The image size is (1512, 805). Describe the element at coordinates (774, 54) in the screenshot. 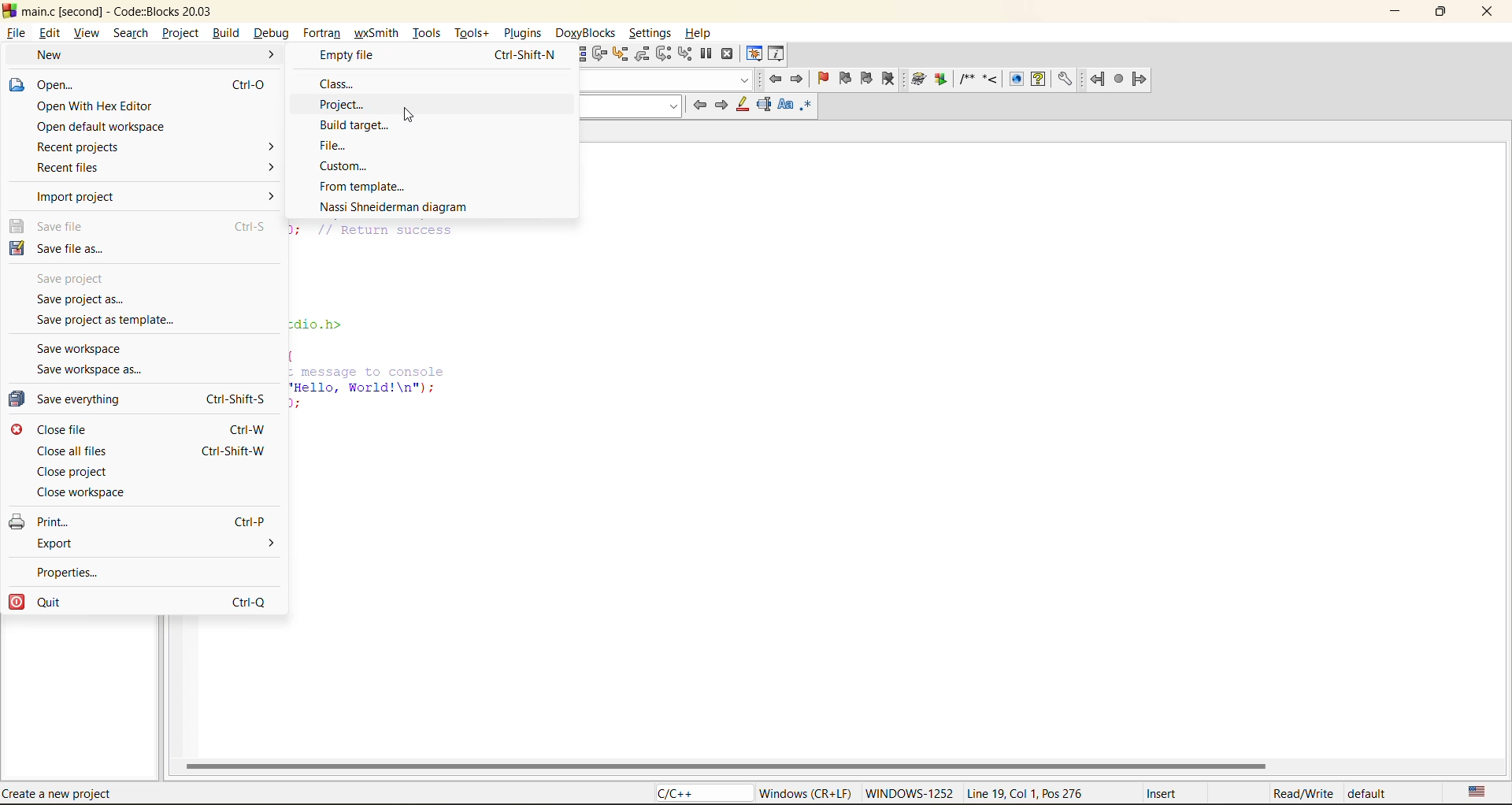

I see `various info` at that location.